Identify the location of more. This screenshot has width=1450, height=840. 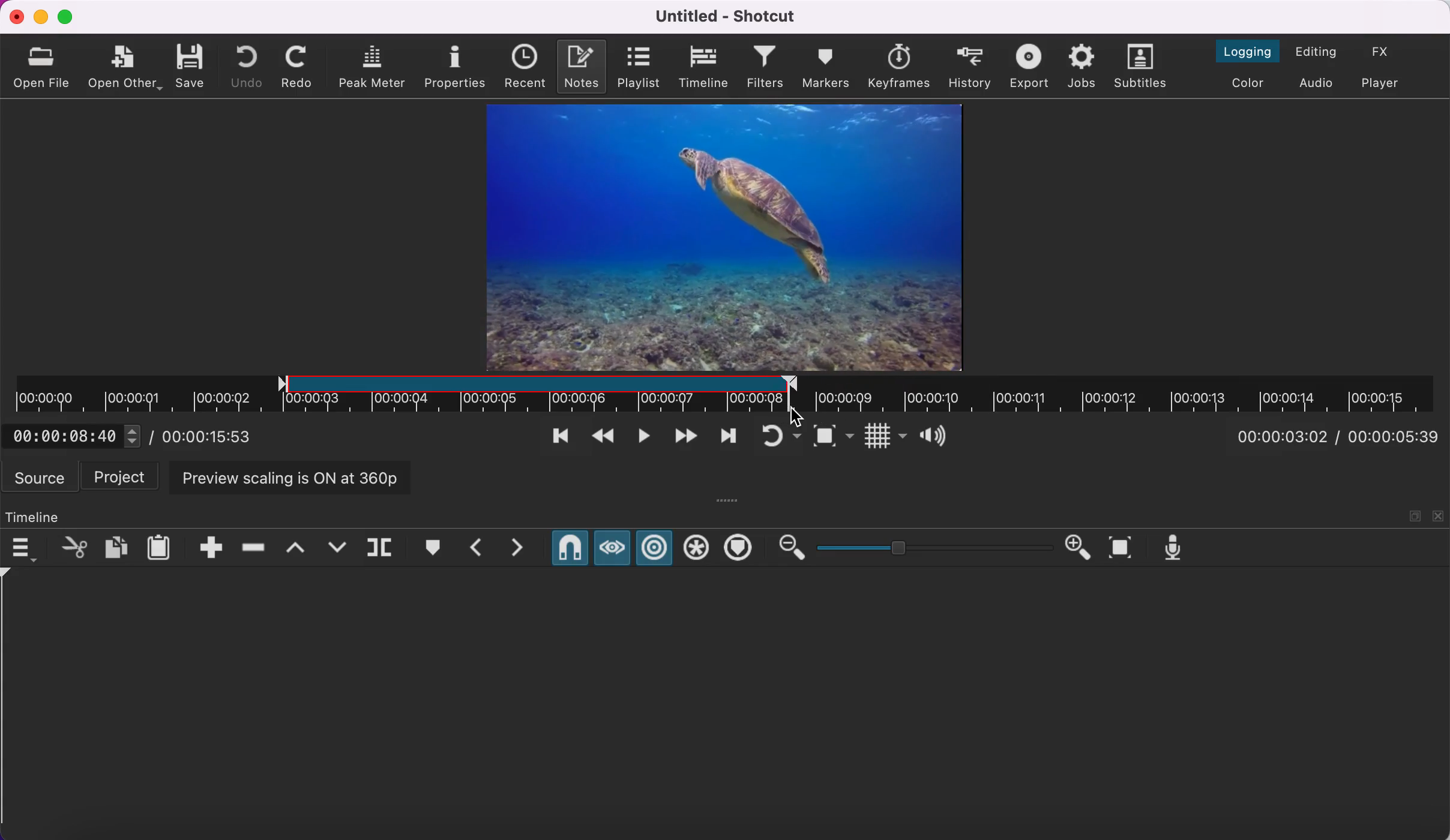
(730, 499).